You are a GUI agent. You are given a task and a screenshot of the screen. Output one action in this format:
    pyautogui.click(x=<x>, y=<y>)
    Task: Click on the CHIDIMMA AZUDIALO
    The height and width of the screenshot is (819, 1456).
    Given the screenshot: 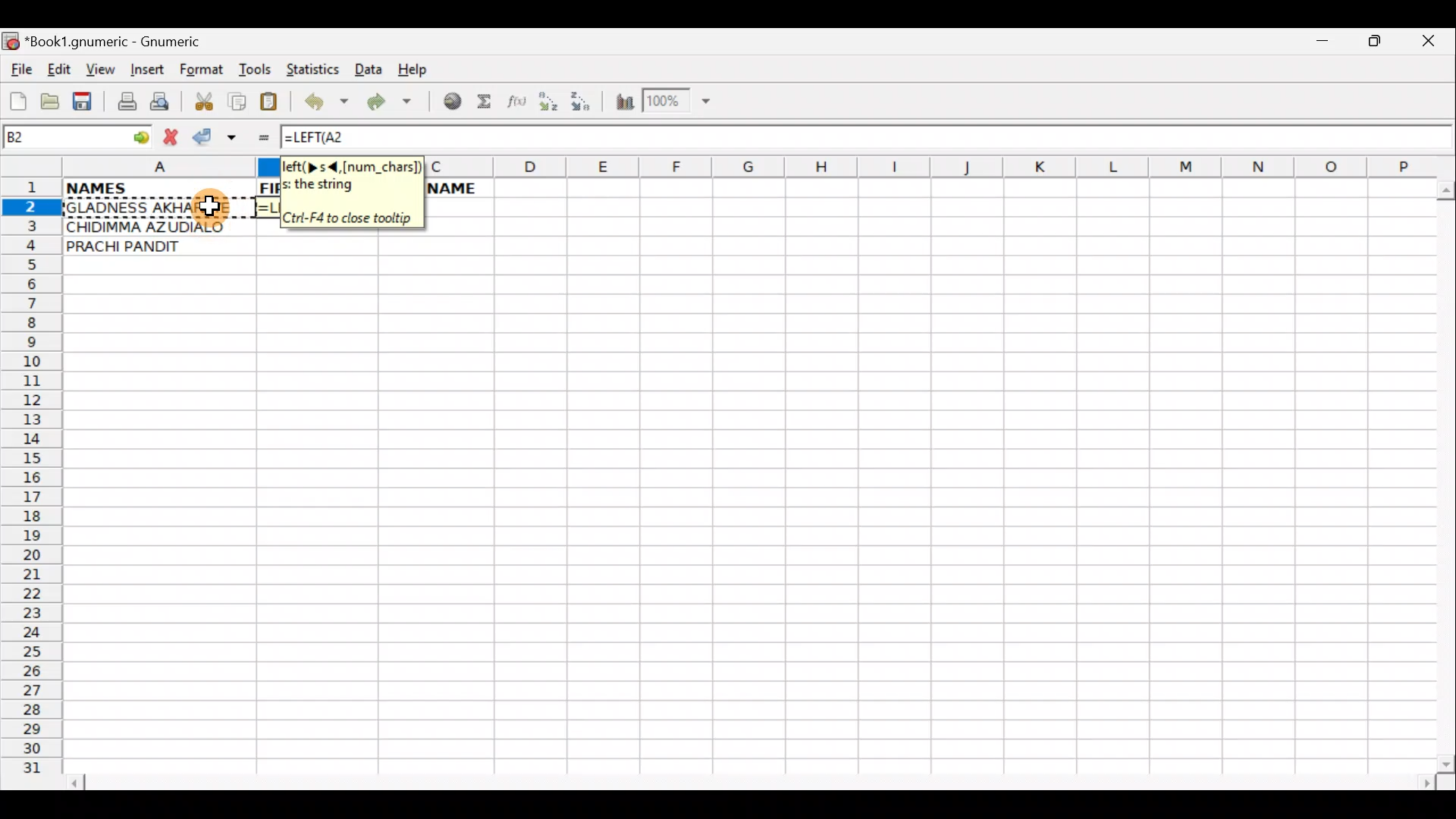 What is the action you would take?
    pyautogui.click(x=156, y=227)
    